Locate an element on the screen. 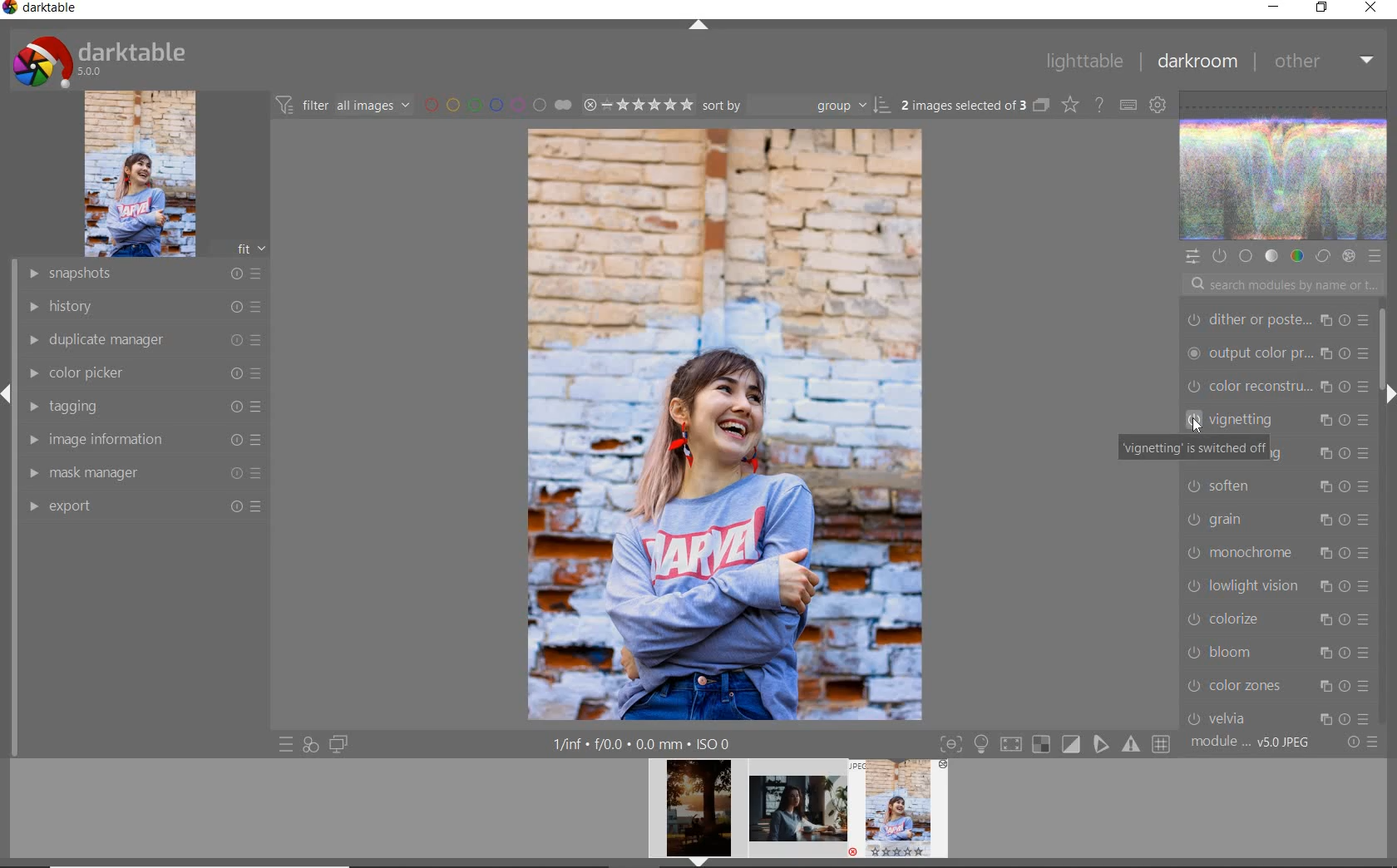 Image resolution: width=1397 pixels, height=868 pixels. expand/collapse is located at coordinates (698, 27).